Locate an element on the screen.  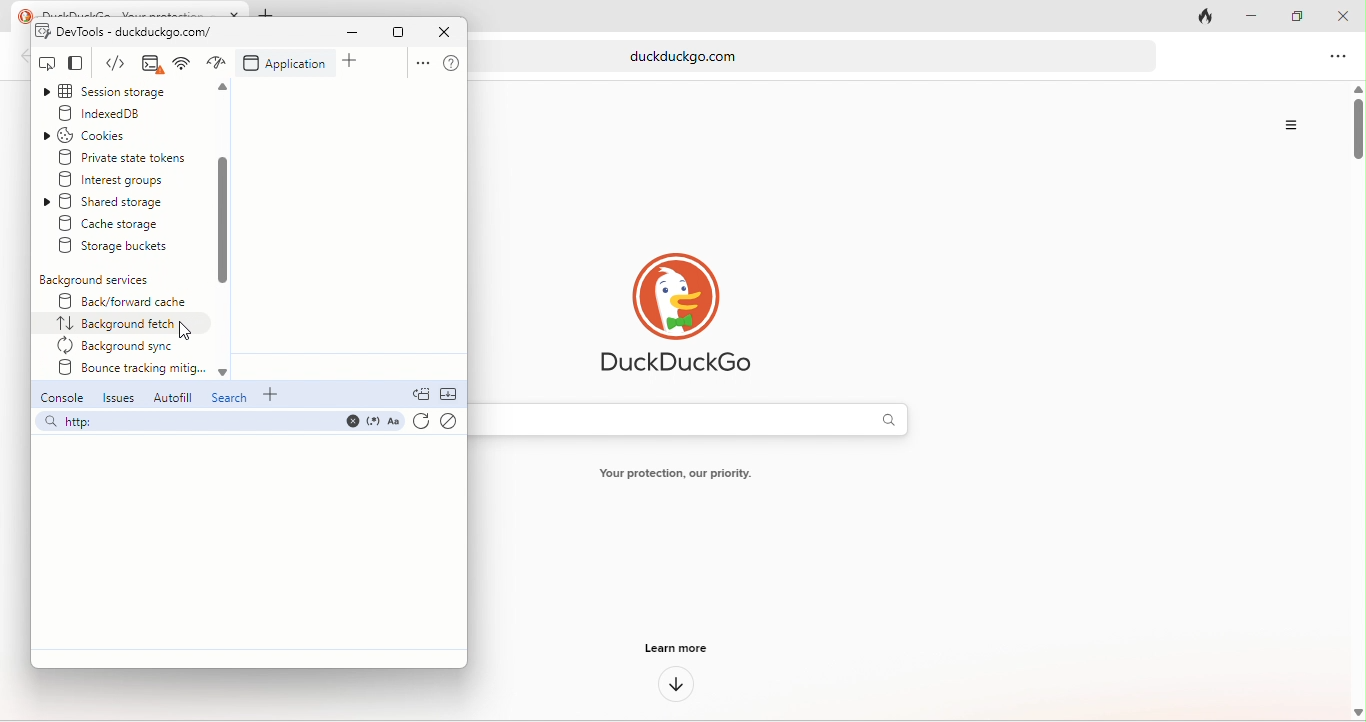
storage buckets is located at coordinates (117, 248).